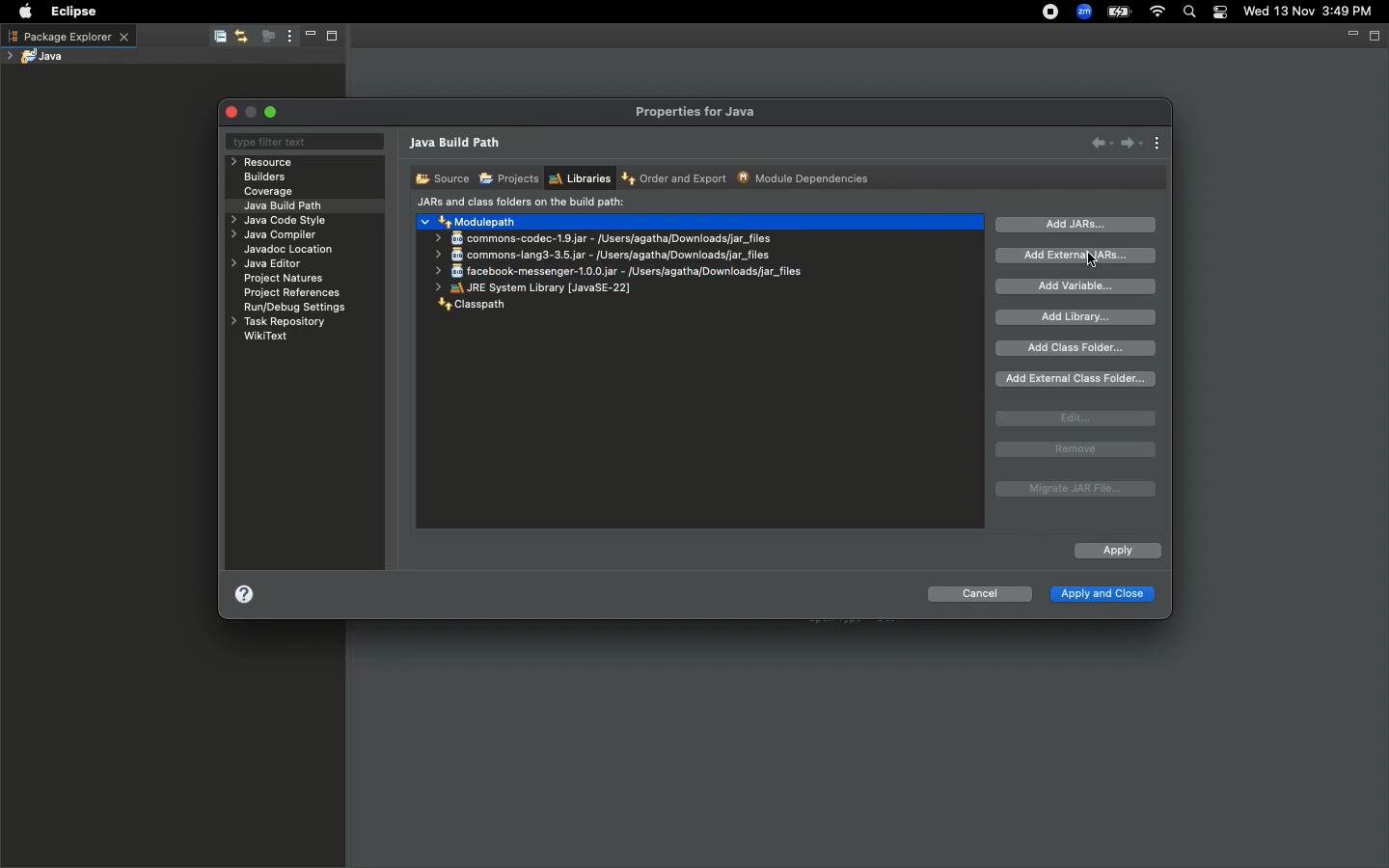 This screenshot has width=1389, height=868. What do you see at coordinates (338, 38) in the screenshot?
I see `Maximize` at bounding box center [338, 38].